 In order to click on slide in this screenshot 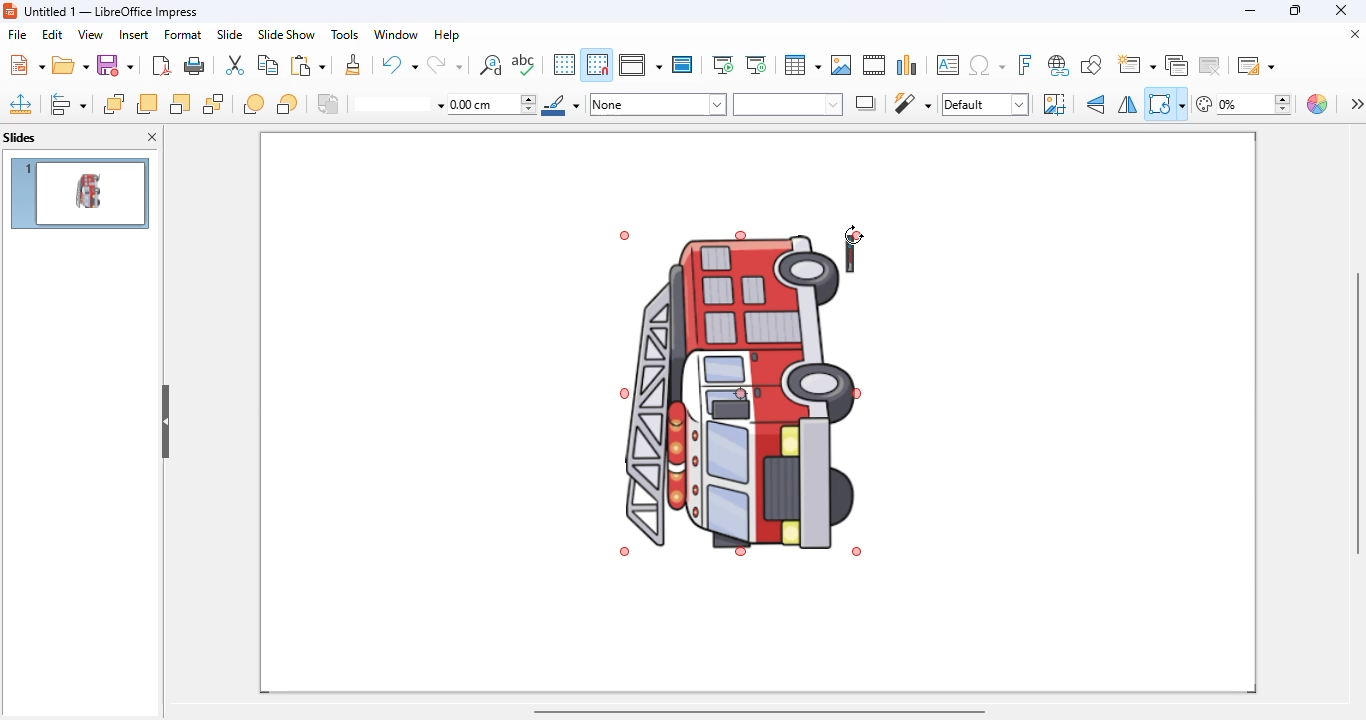, I will do `click(230, 34)`.